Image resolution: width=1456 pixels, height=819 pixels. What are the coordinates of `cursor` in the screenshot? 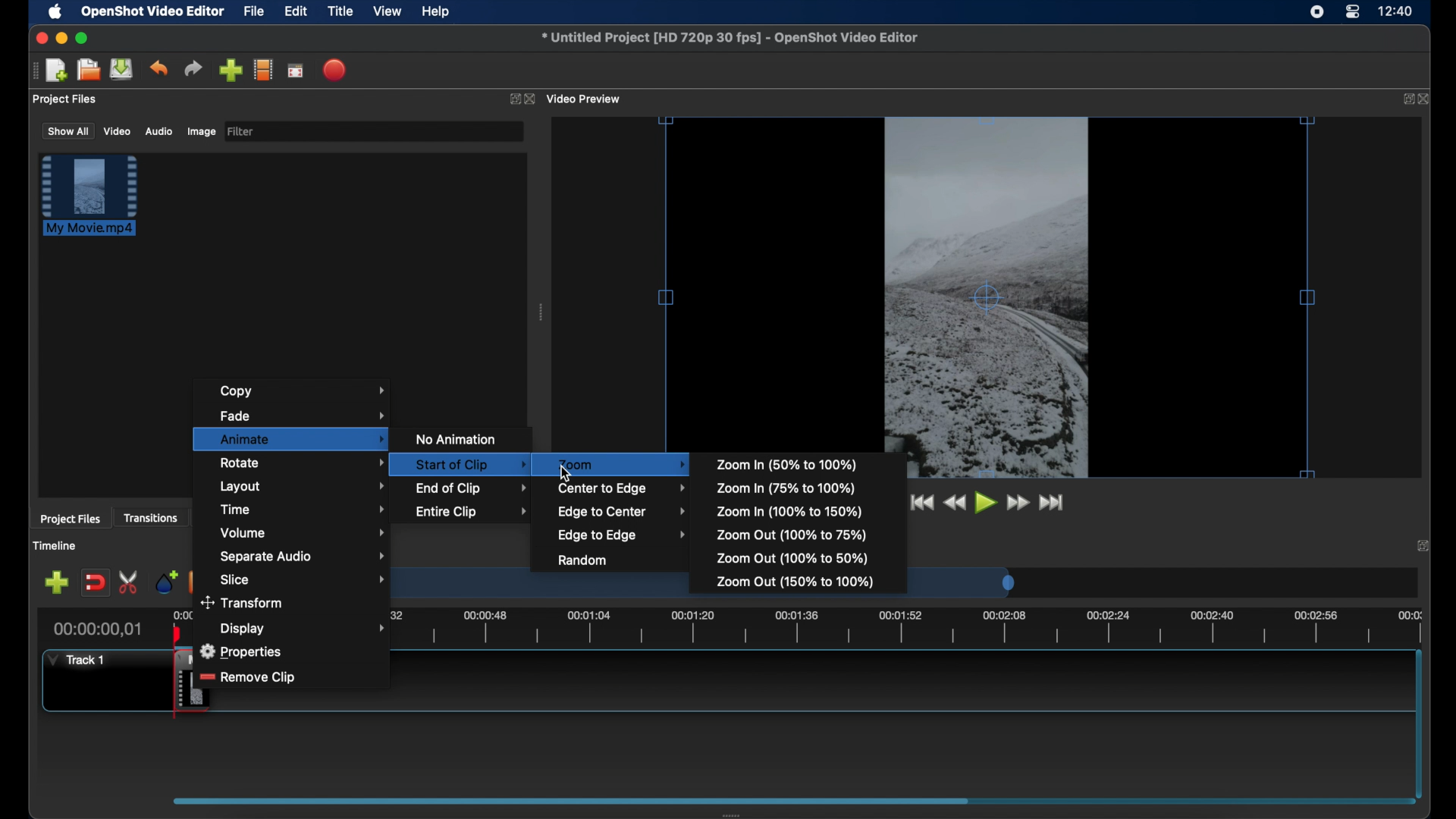 It's located at (566, 471).